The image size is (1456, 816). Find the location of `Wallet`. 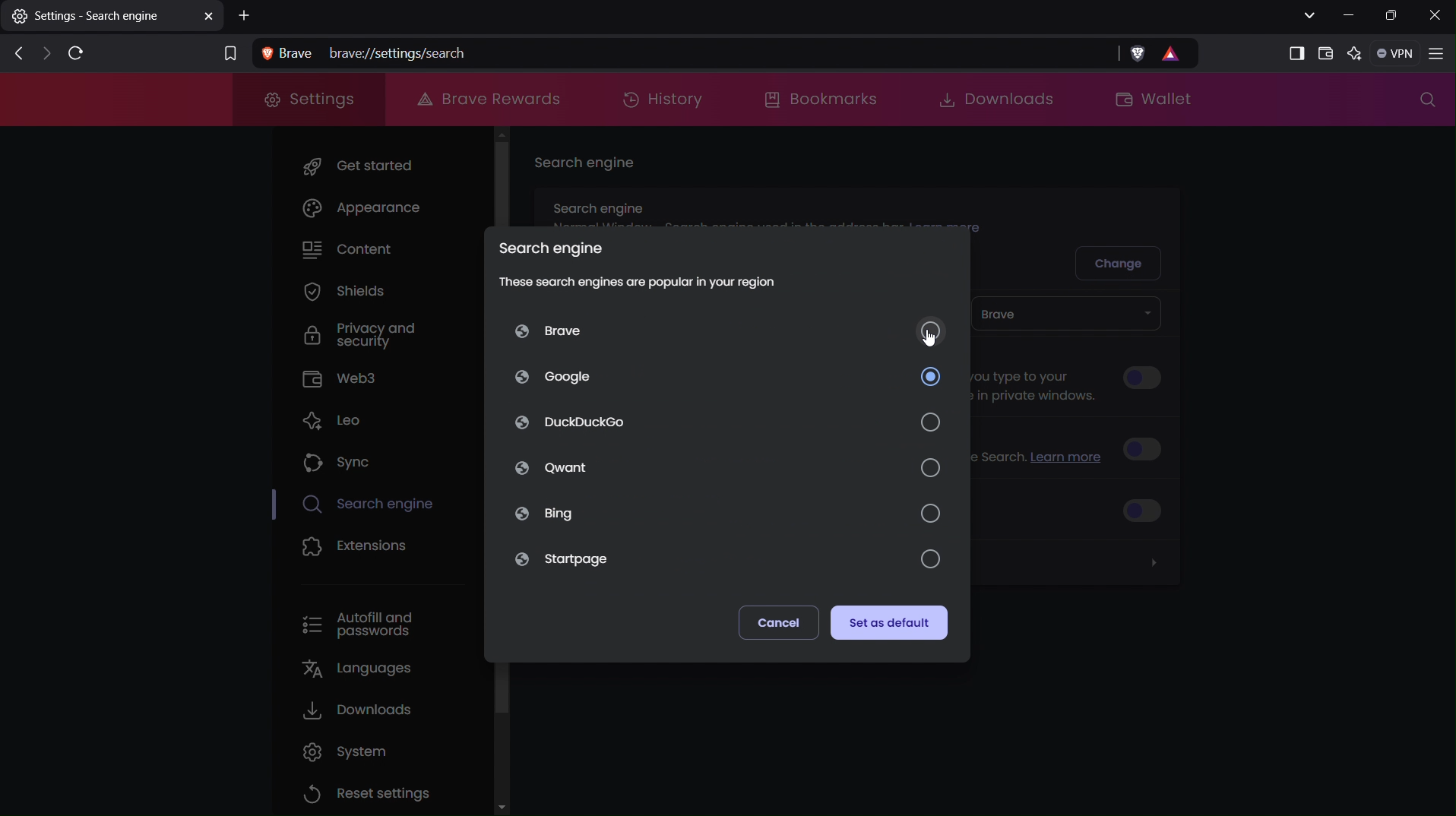

Wallet is located at coordinates (1163, 101).